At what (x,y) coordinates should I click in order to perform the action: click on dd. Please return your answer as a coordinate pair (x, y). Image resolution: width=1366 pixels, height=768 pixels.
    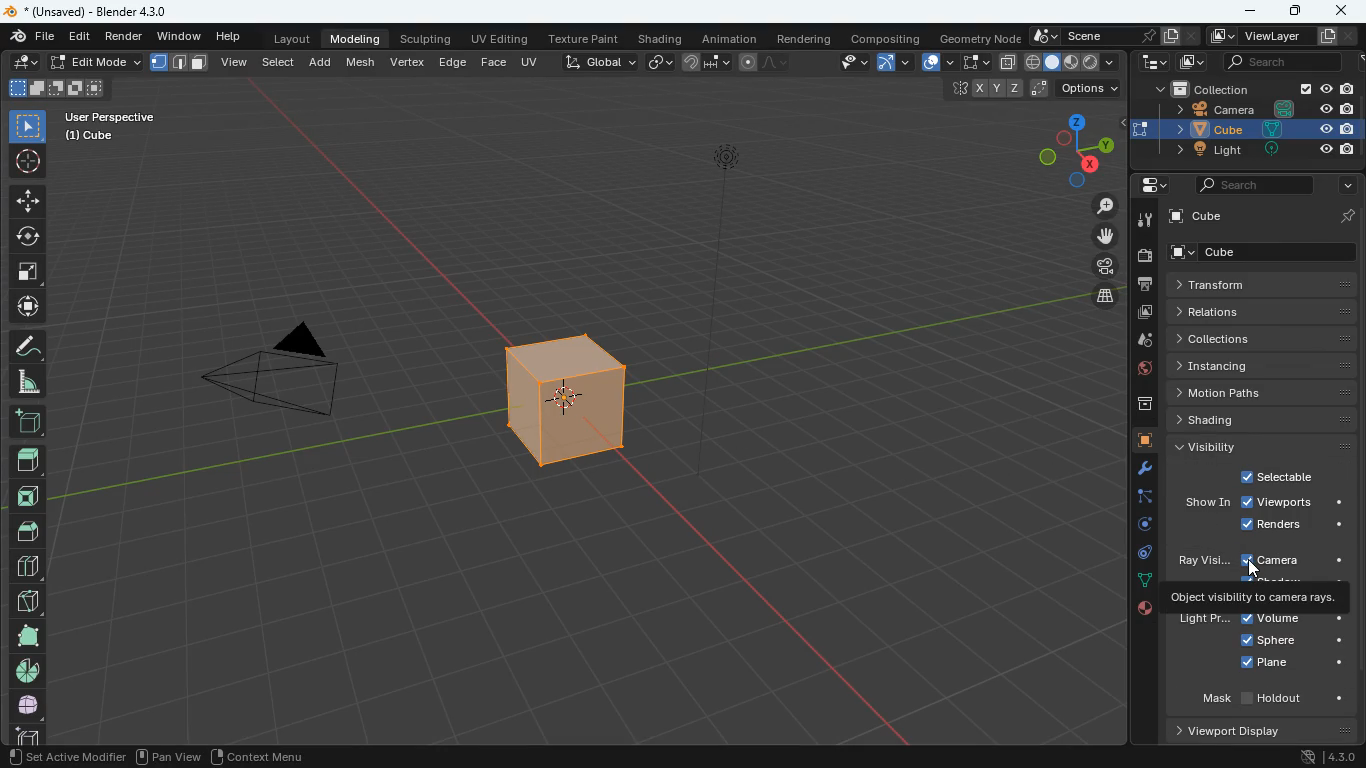
    Looking at the image, I should click on (28, 425).